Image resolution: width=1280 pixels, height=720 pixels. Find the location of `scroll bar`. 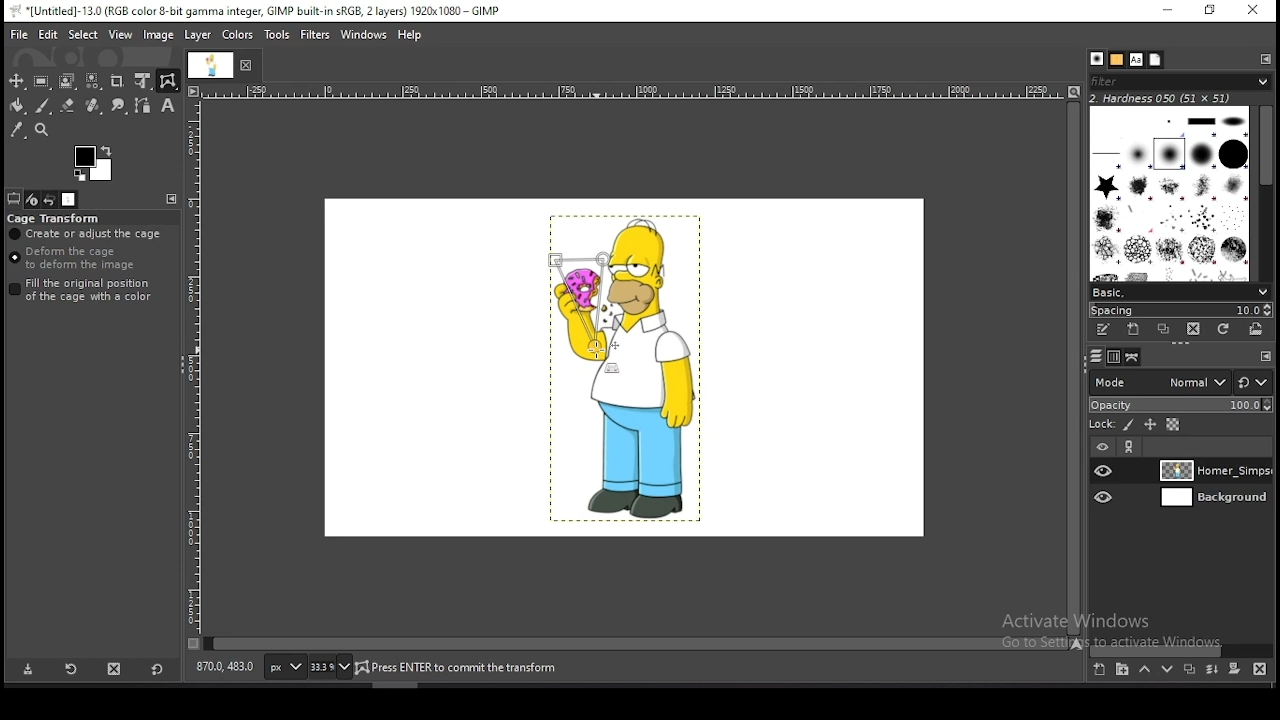

scroll bar is located at coordinates (1264, 190).